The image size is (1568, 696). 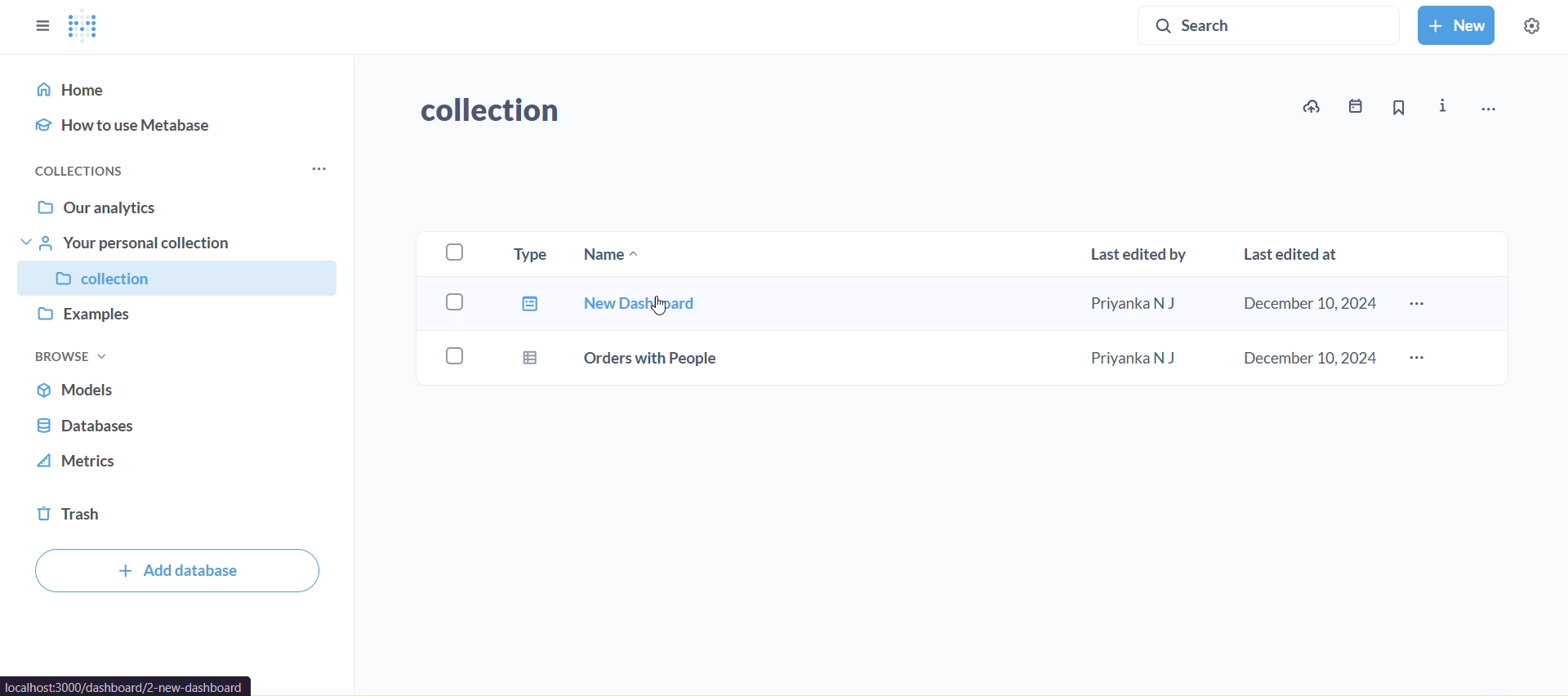 I want to click on priyanka n j, so click(x=1134, y=356).